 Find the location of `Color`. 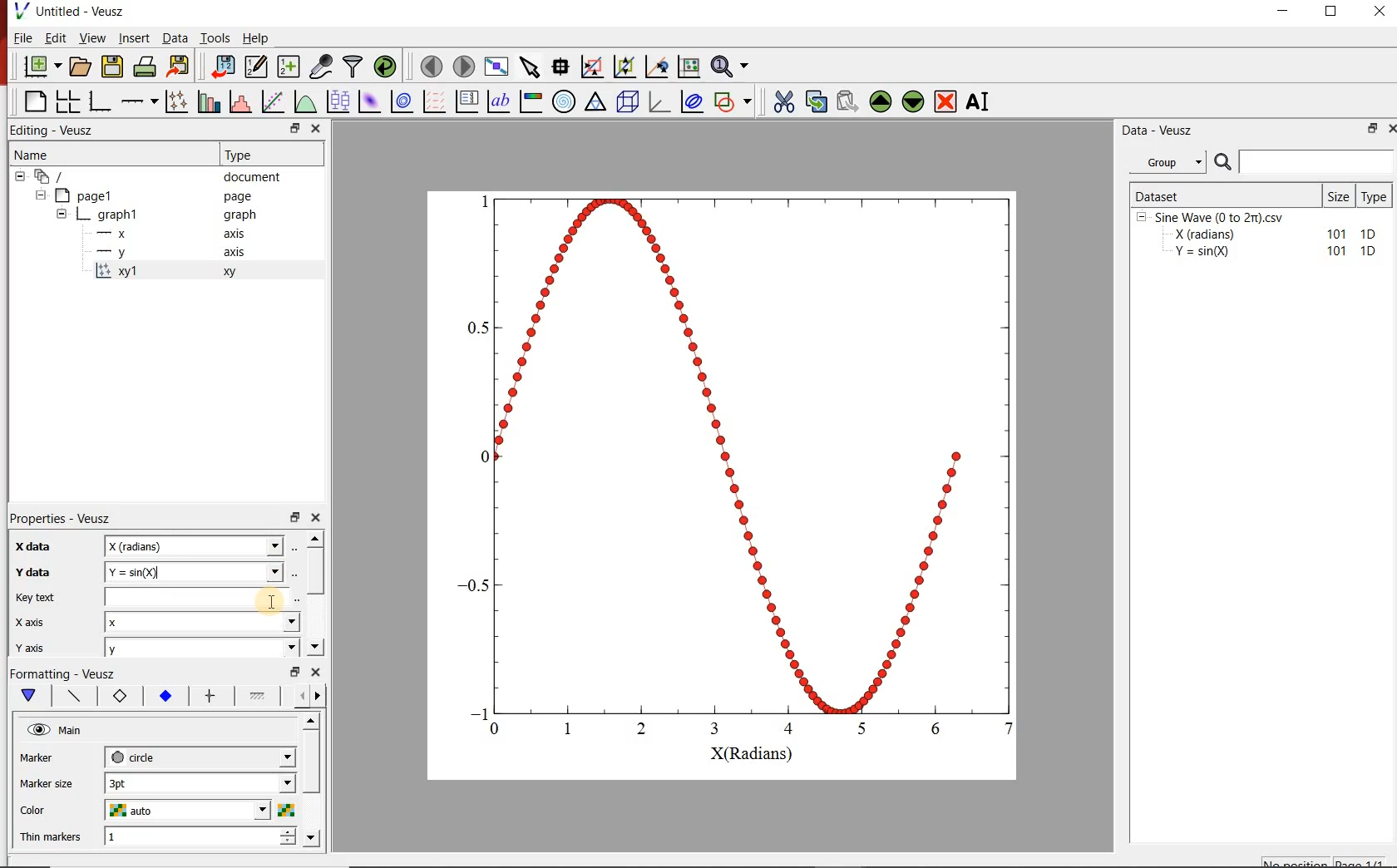

Color is located at coordinates (38, 808).